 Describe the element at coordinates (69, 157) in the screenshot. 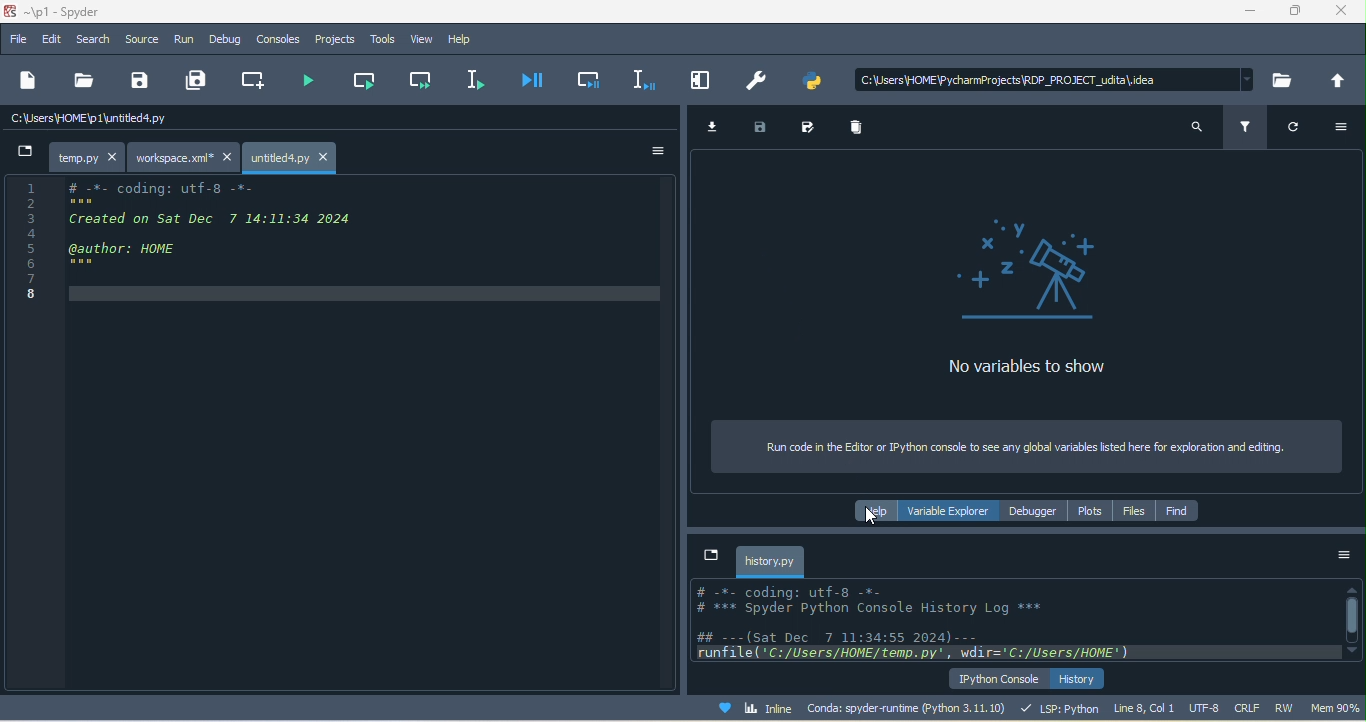

I see `temp py` at that location.